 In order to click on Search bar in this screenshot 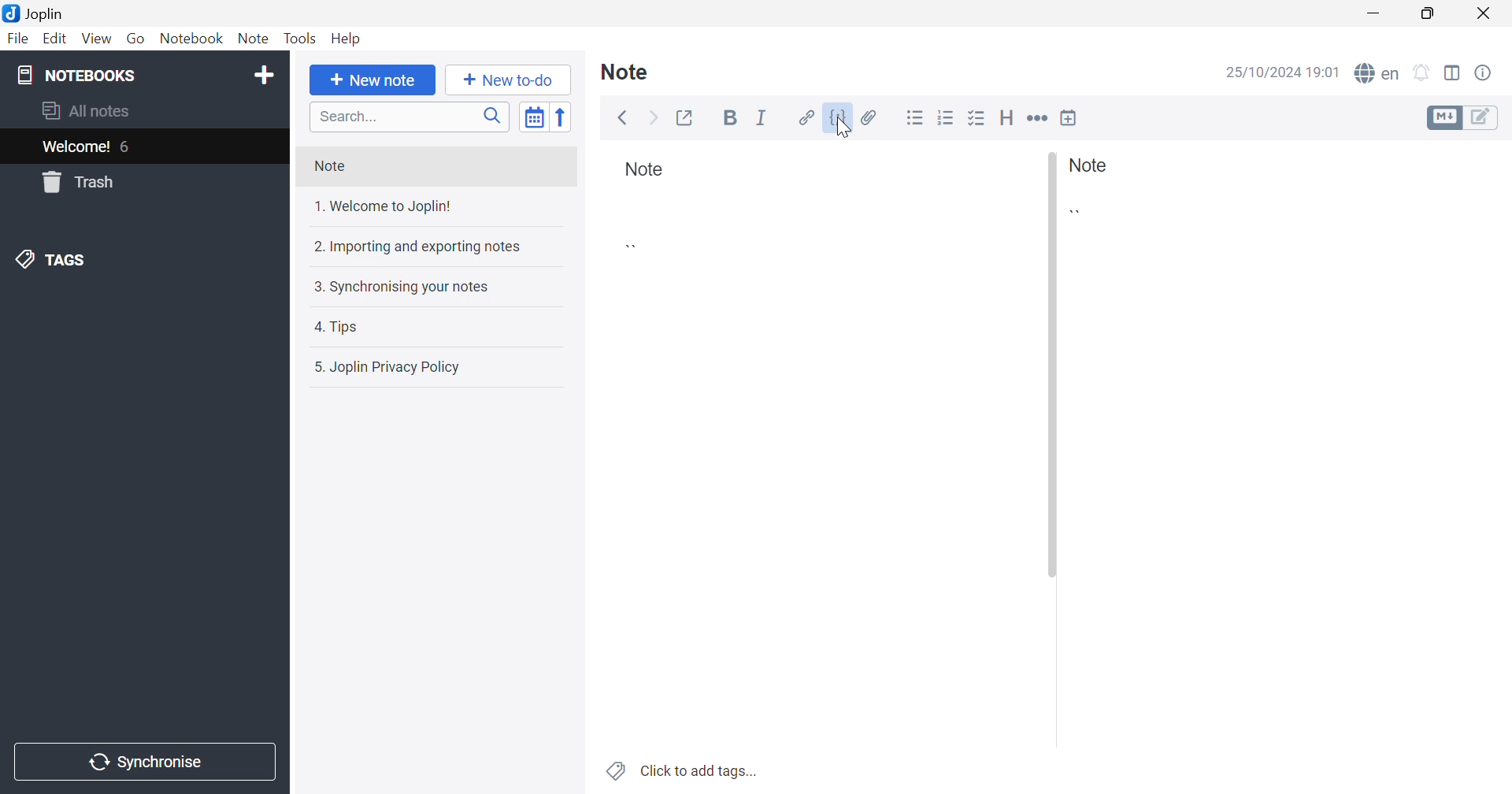, I will do `click(410, 116)`.